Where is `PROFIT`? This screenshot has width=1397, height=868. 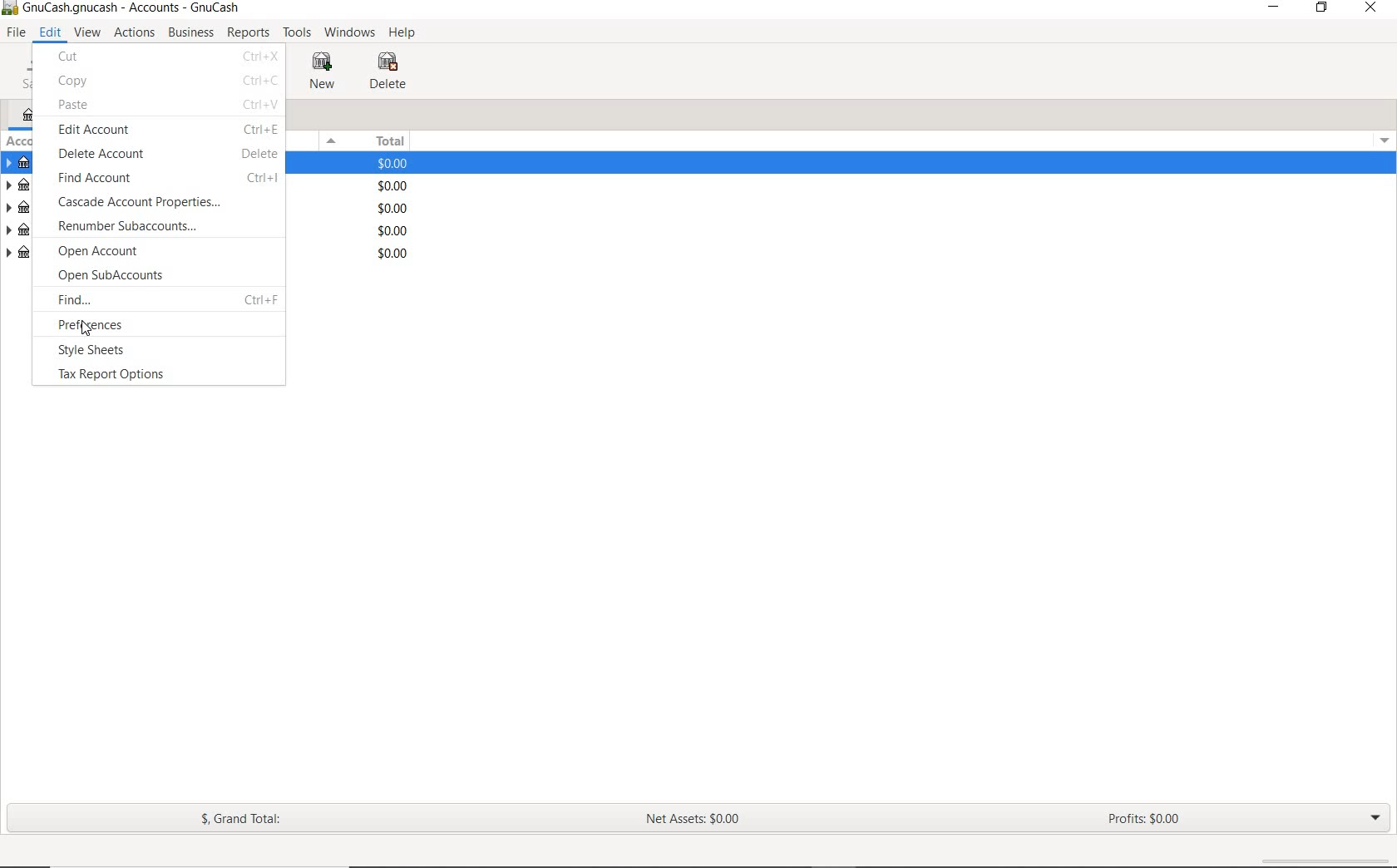
PROFIT is located at coordinates (1147, 820).